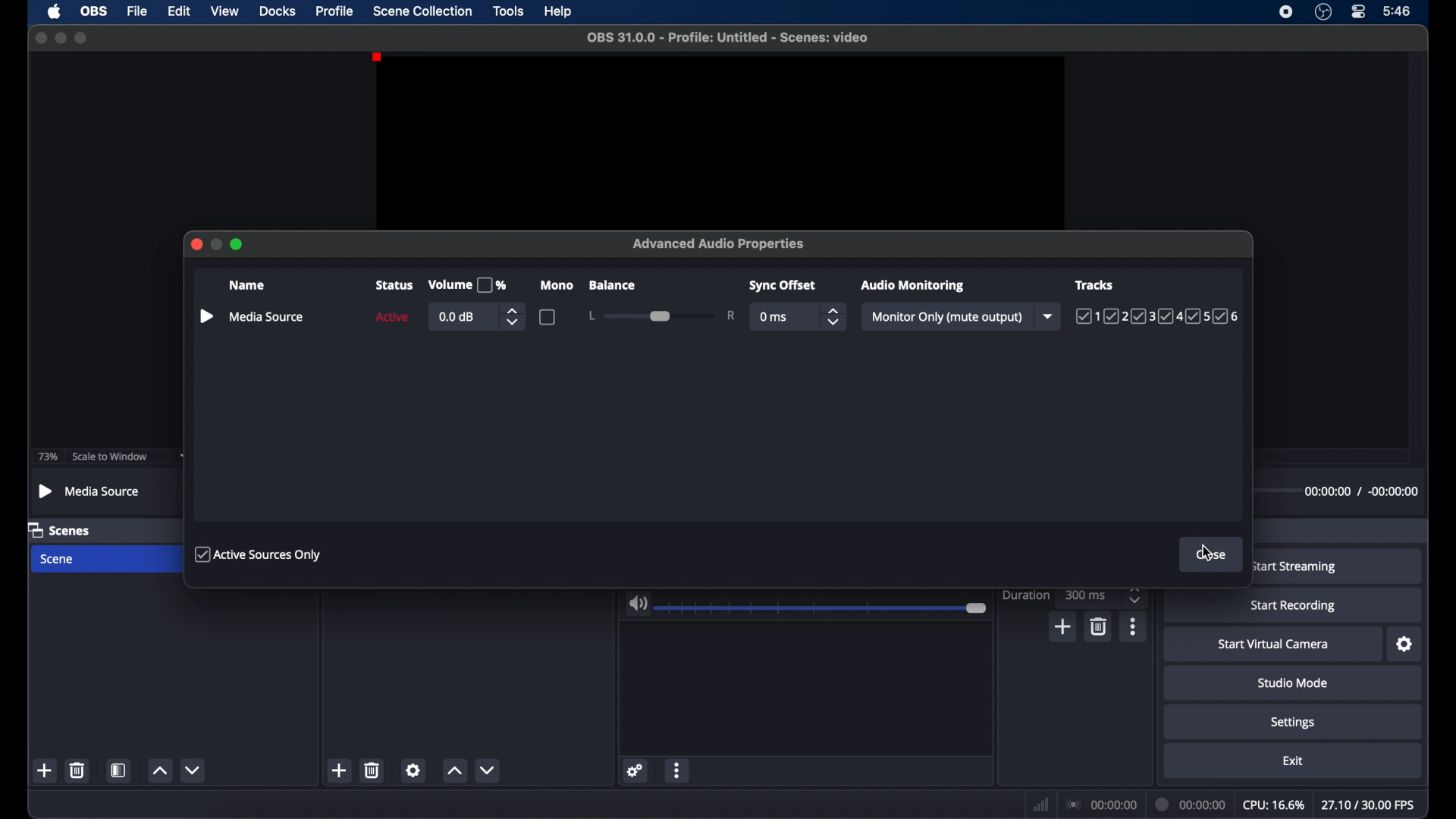 This screenshot has height=819, width=1456. I want to click on scene, so click(58, 560).